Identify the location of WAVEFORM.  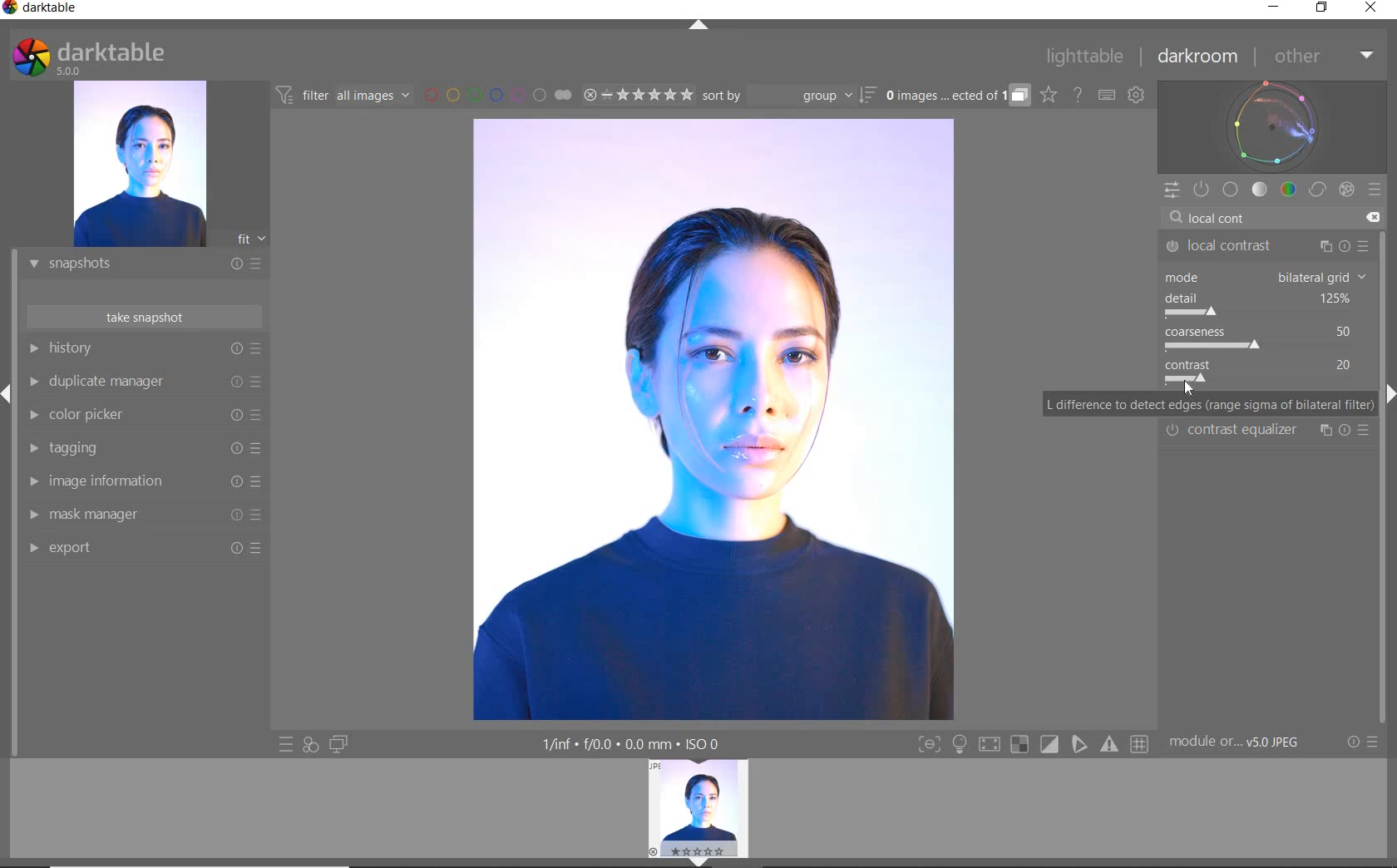
(1272, 126).